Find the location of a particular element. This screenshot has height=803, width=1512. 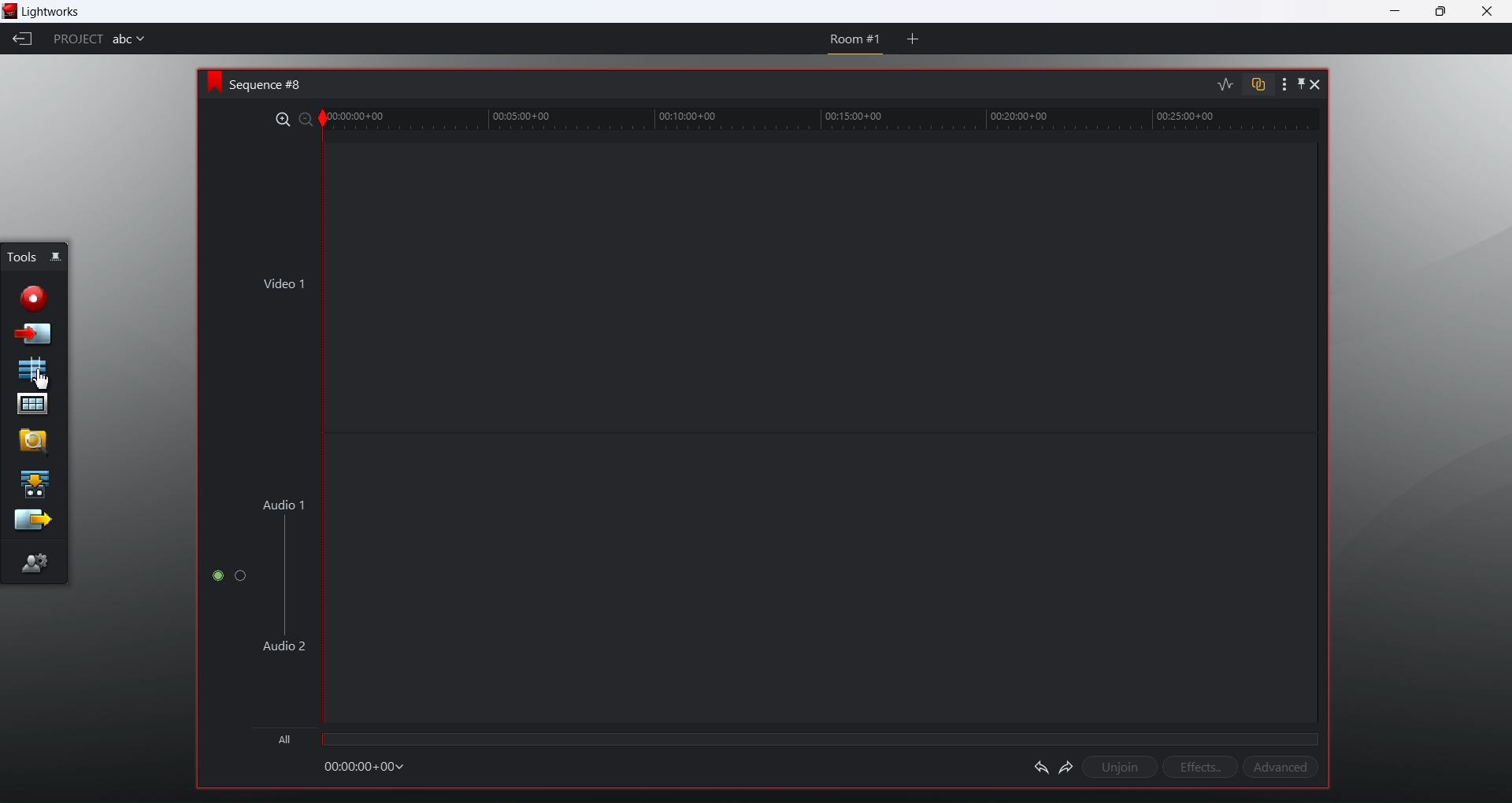

search for clips and sequence is located at coordinates (29, 439).